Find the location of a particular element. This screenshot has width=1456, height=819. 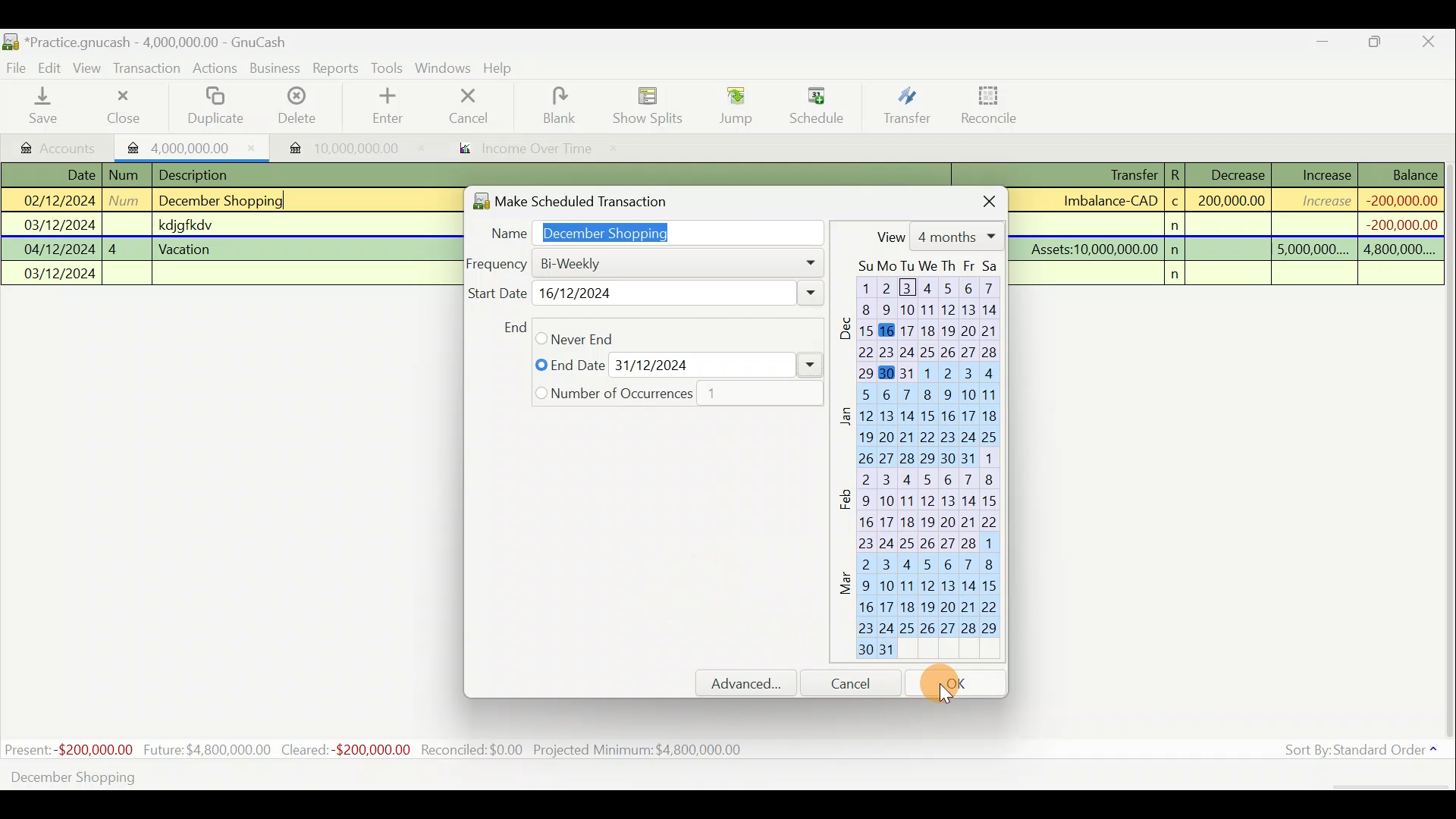

Document name is located at coordinates (163, 43).